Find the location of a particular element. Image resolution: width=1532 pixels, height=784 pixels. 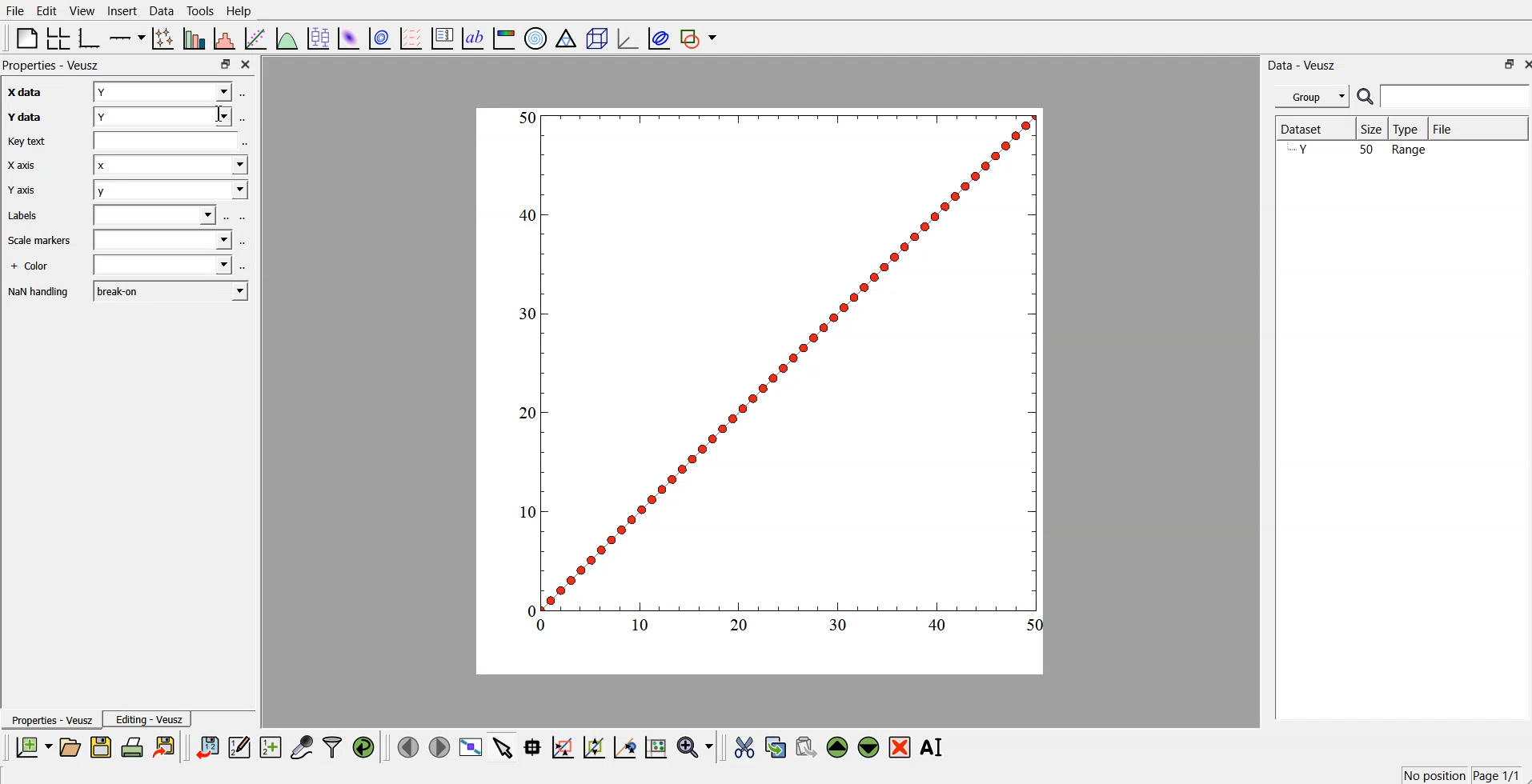

reload linked datas is located at coordinates (365, 748).